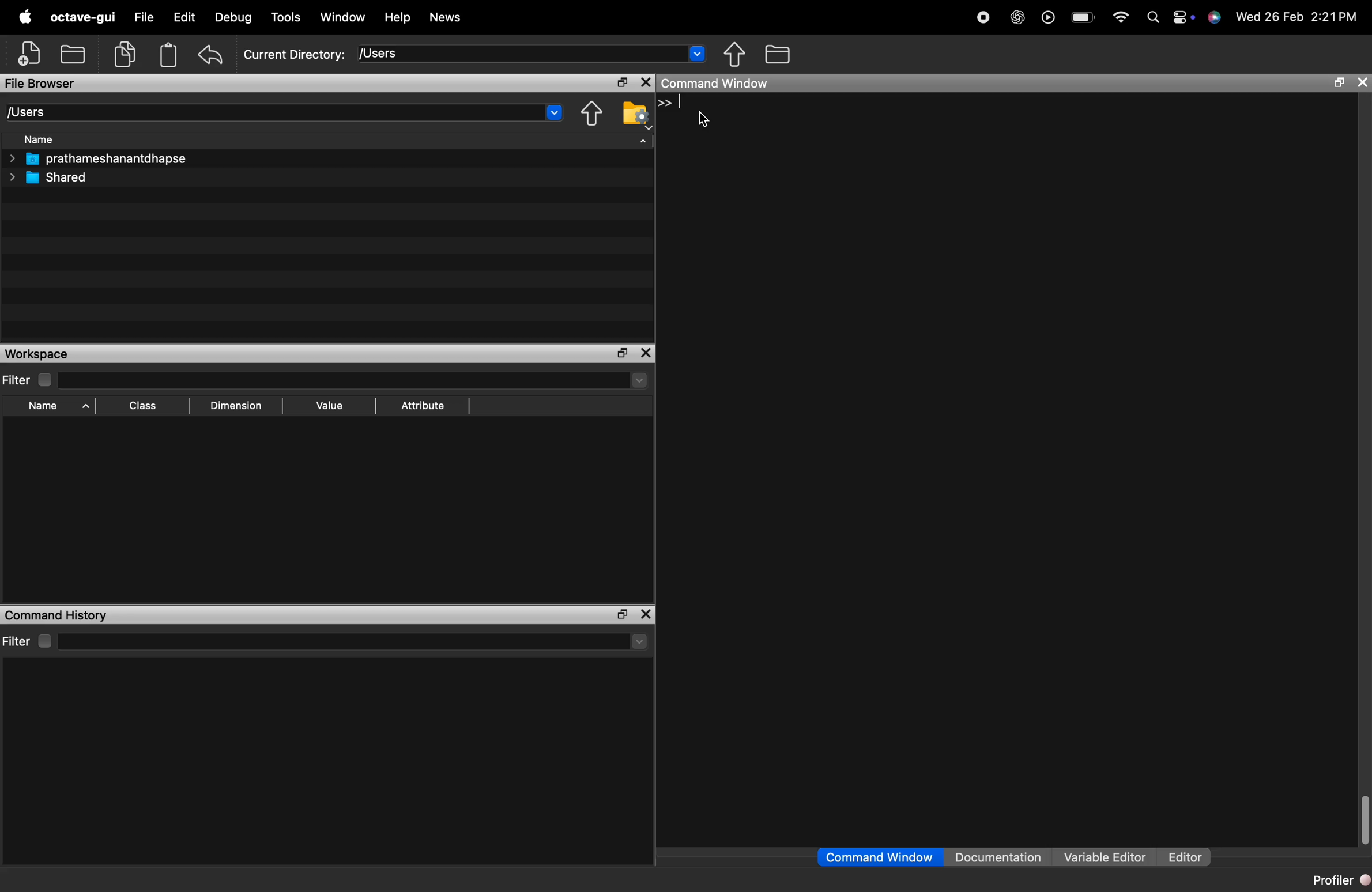 This screenshot has height=892, width=1372. What do you see at coordinates (735, 54) in the screenshot?
I see `move` at bounding box center [735, 54].